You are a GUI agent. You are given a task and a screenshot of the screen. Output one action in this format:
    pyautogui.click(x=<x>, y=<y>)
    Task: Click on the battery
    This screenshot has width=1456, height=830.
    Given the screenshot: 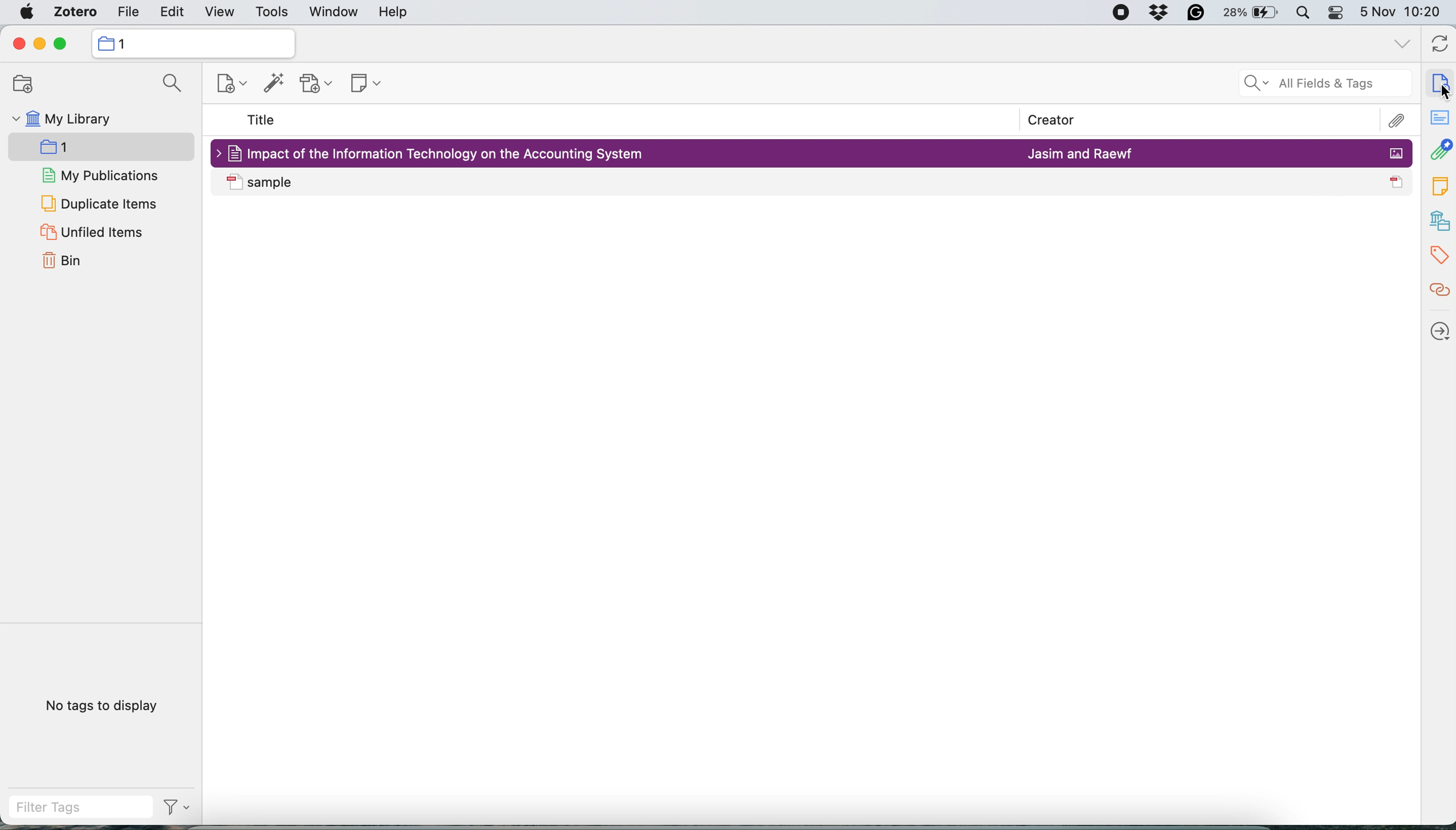 What is the action you would take?
    pyautogui.click(x=1252, y=13)
    